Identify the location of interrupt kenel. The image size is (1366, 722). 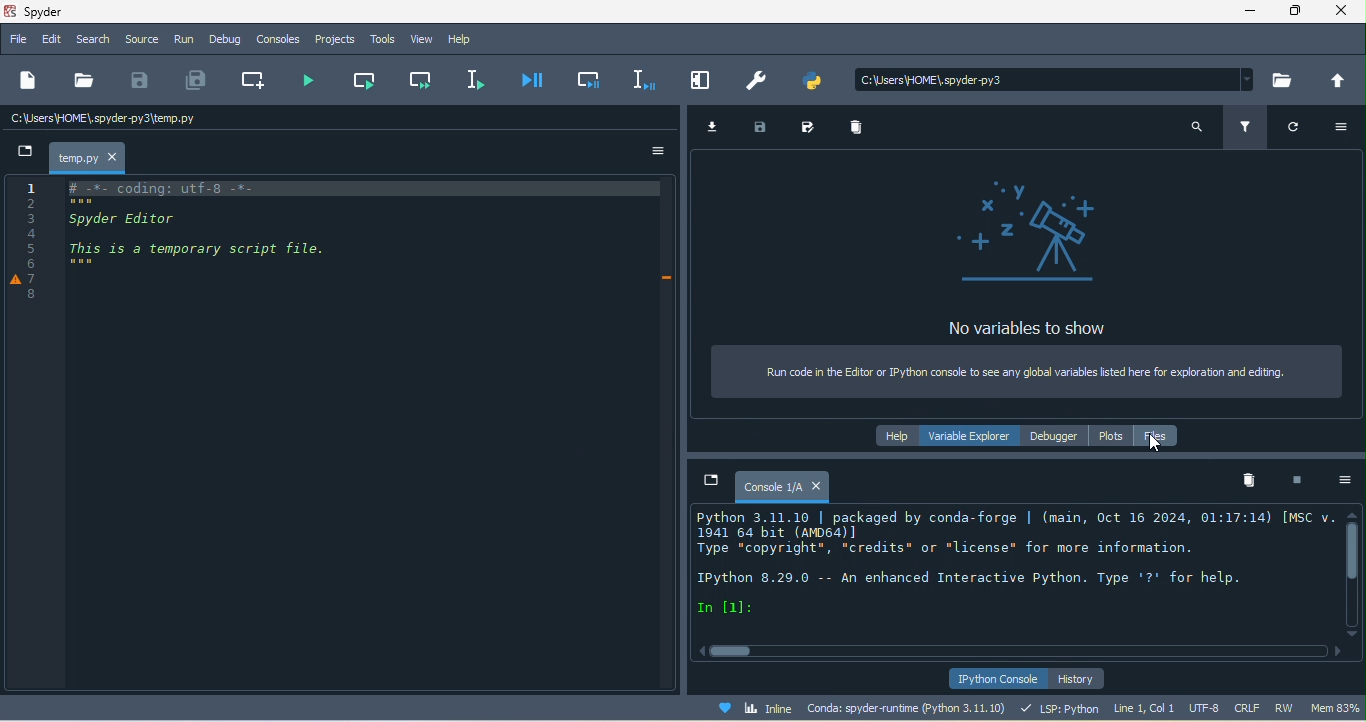
(1298, 480).